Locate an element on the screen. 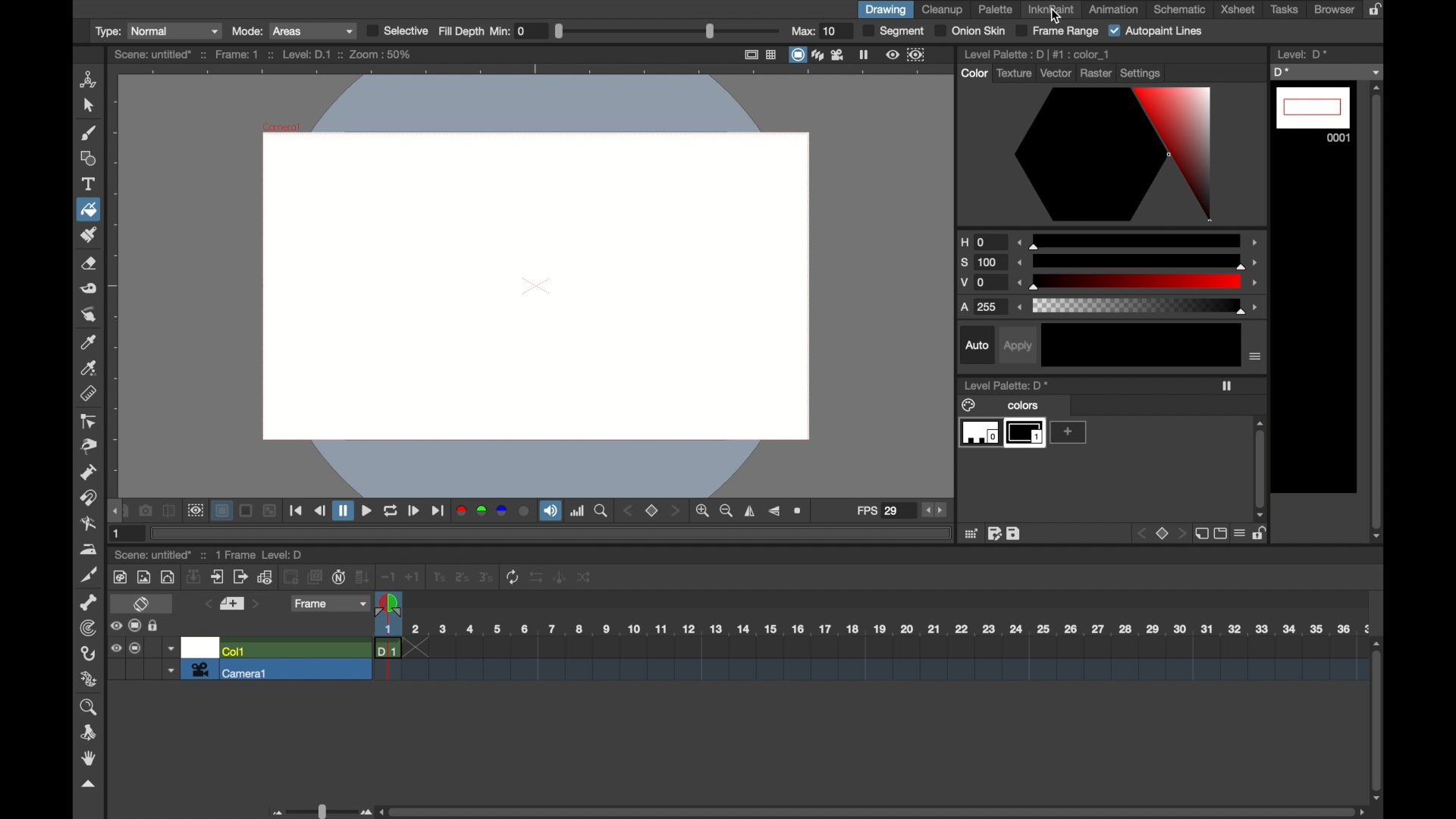 This screenshot has height=819, width=1456. front is located at coordinates (1179, 534).